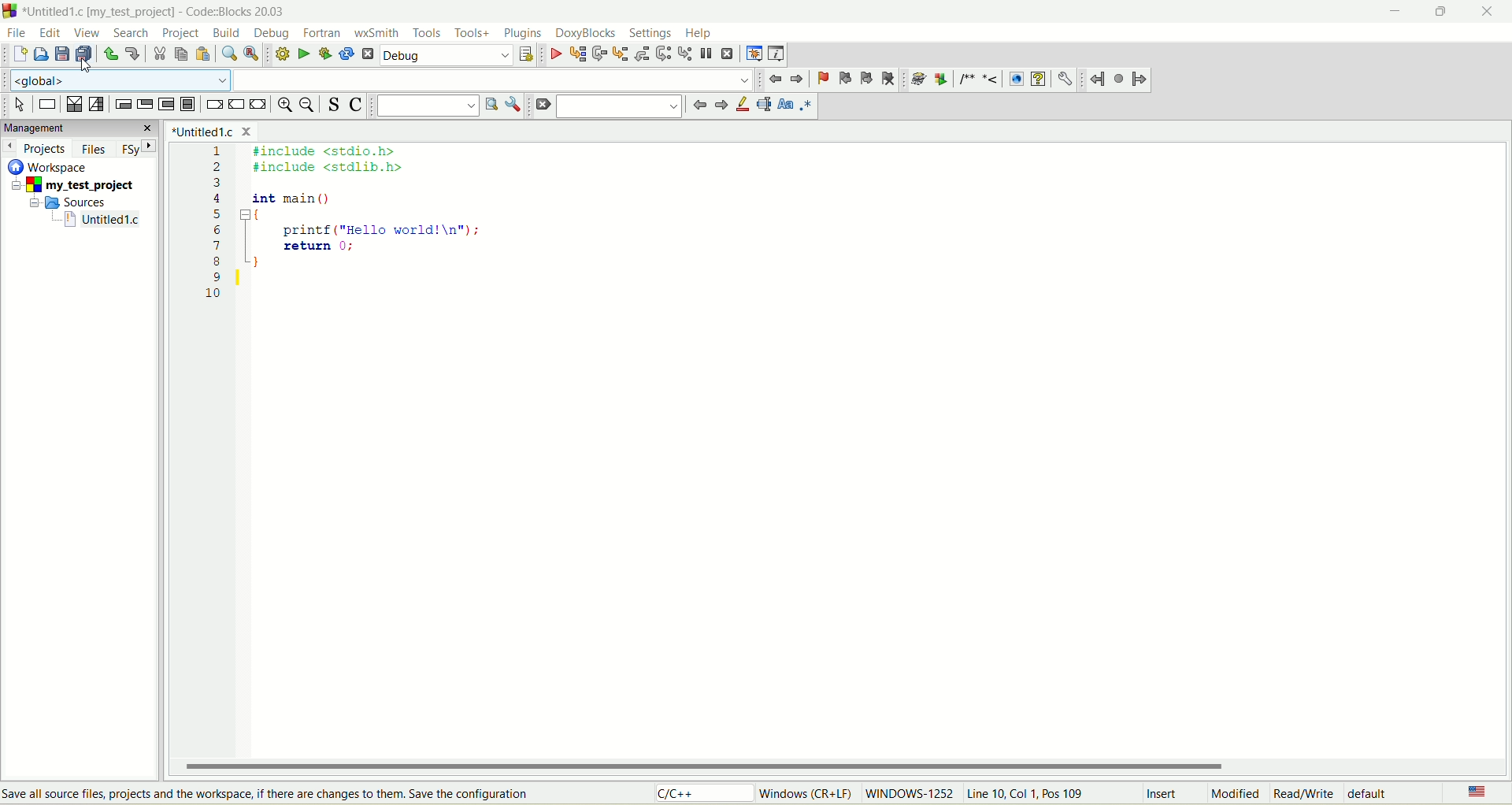 The height and width of the screenshot is (805, 1512). What do you see at coordinates (250, 54) in the screenshot?
I see `replace` at bounding box center [250, 54].